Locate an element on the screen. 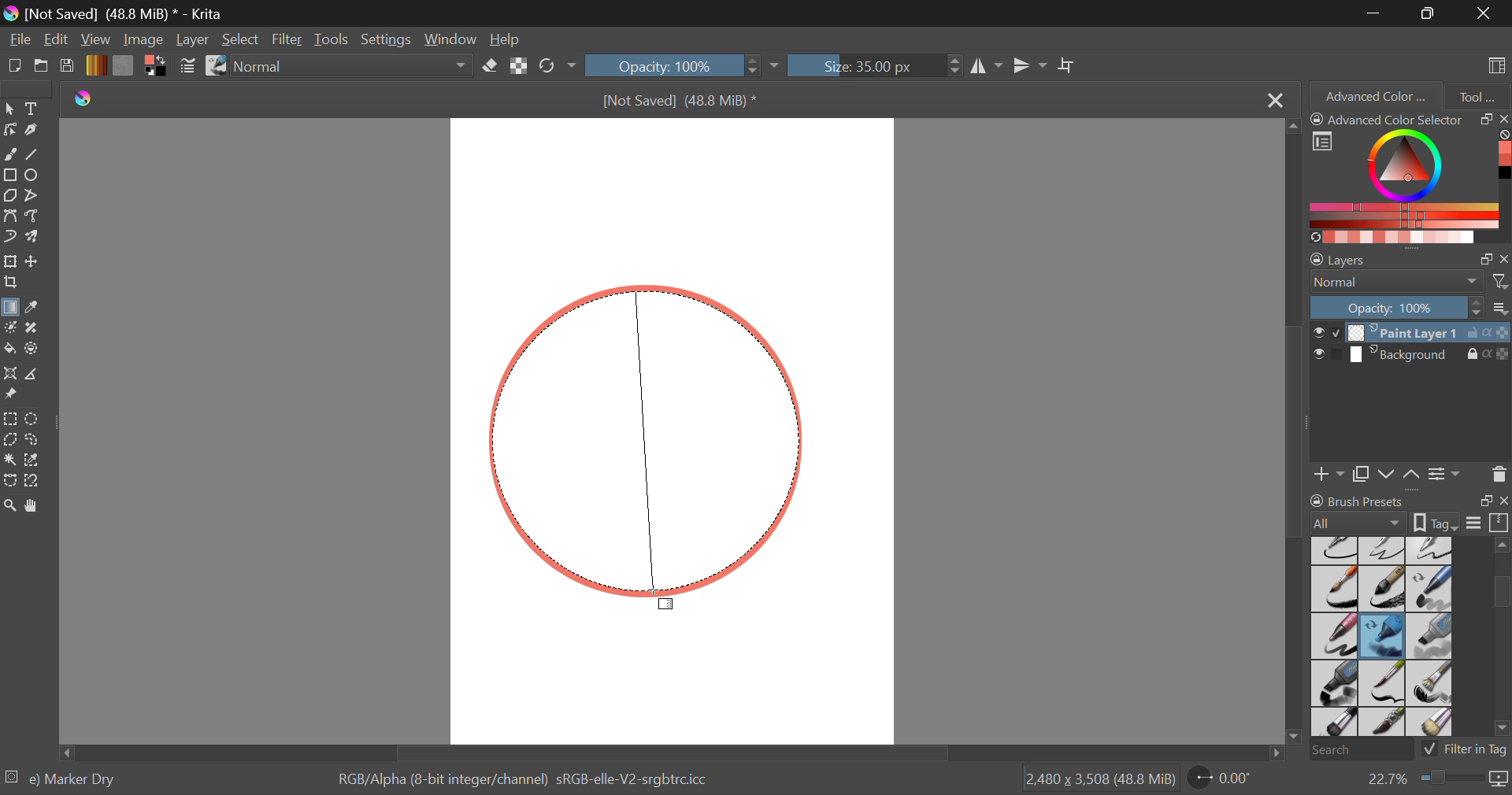 This screenshot has width=1512, height=795. Page Dimensions is located at coordinates (1104, 779).